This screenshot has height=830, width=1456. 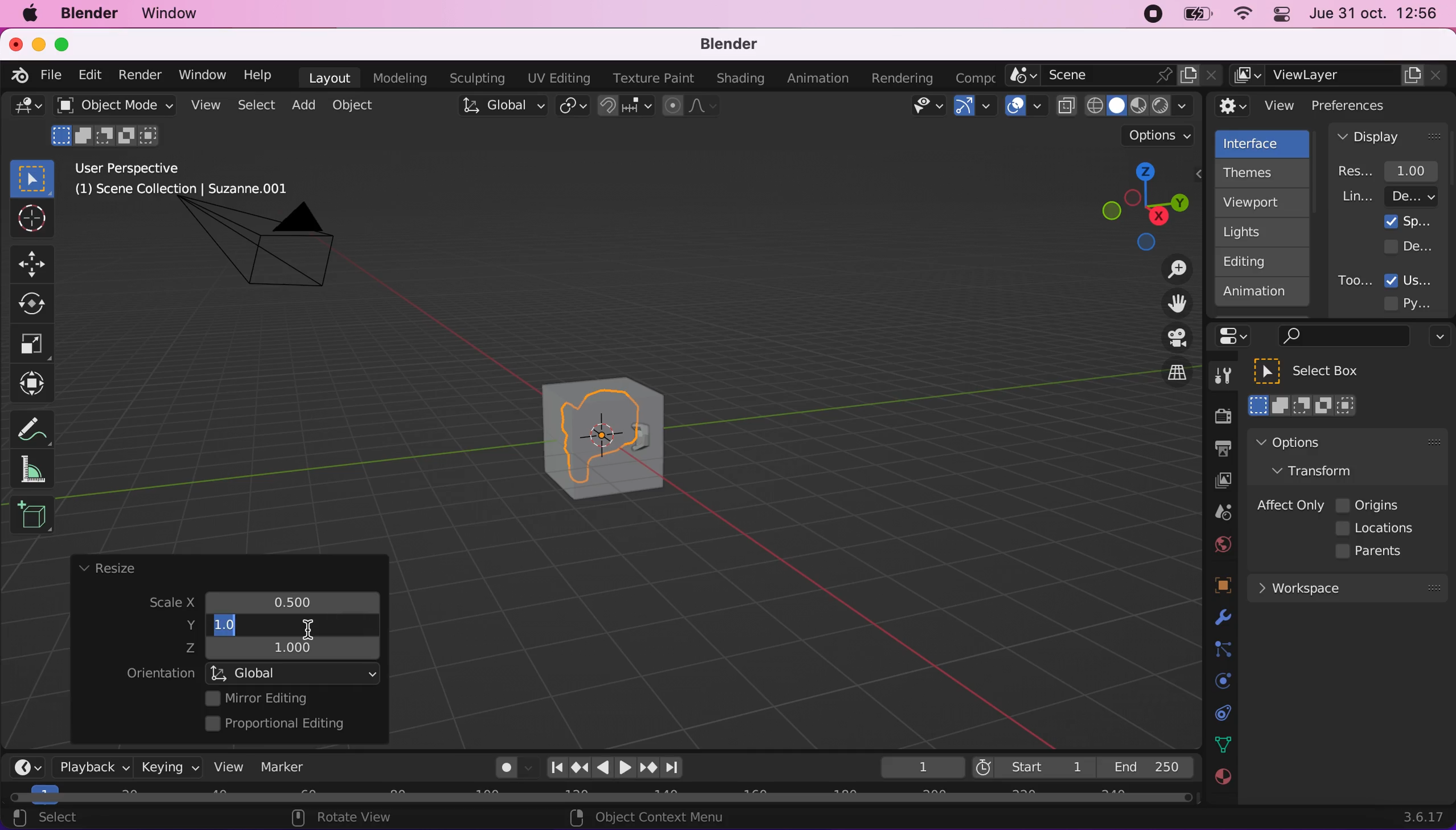 I want to click on developer extras, so click(x=1410, y=246).